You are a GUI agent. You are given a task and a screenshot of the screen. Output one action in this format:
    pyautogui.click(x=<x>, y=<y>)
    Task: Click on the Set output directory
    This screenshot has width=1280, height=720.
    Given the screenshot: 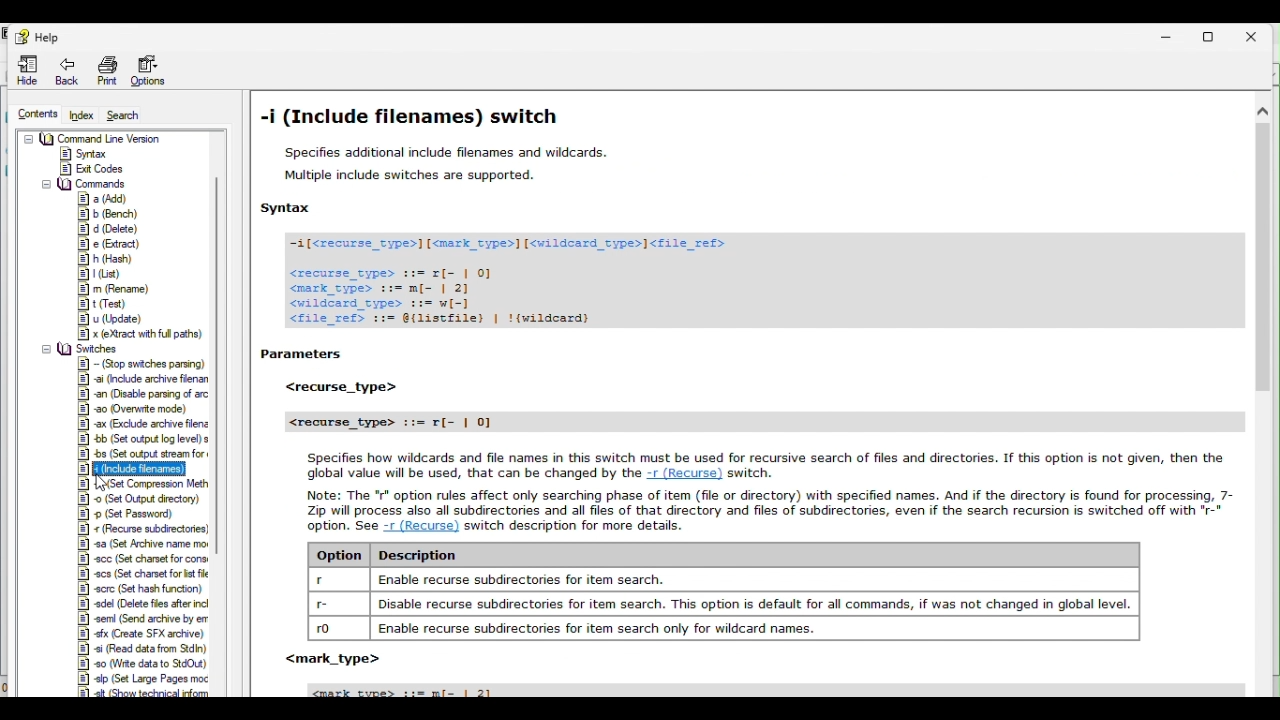 What is the action you would take?
    pyautogui.click(x=140, y=498)
    